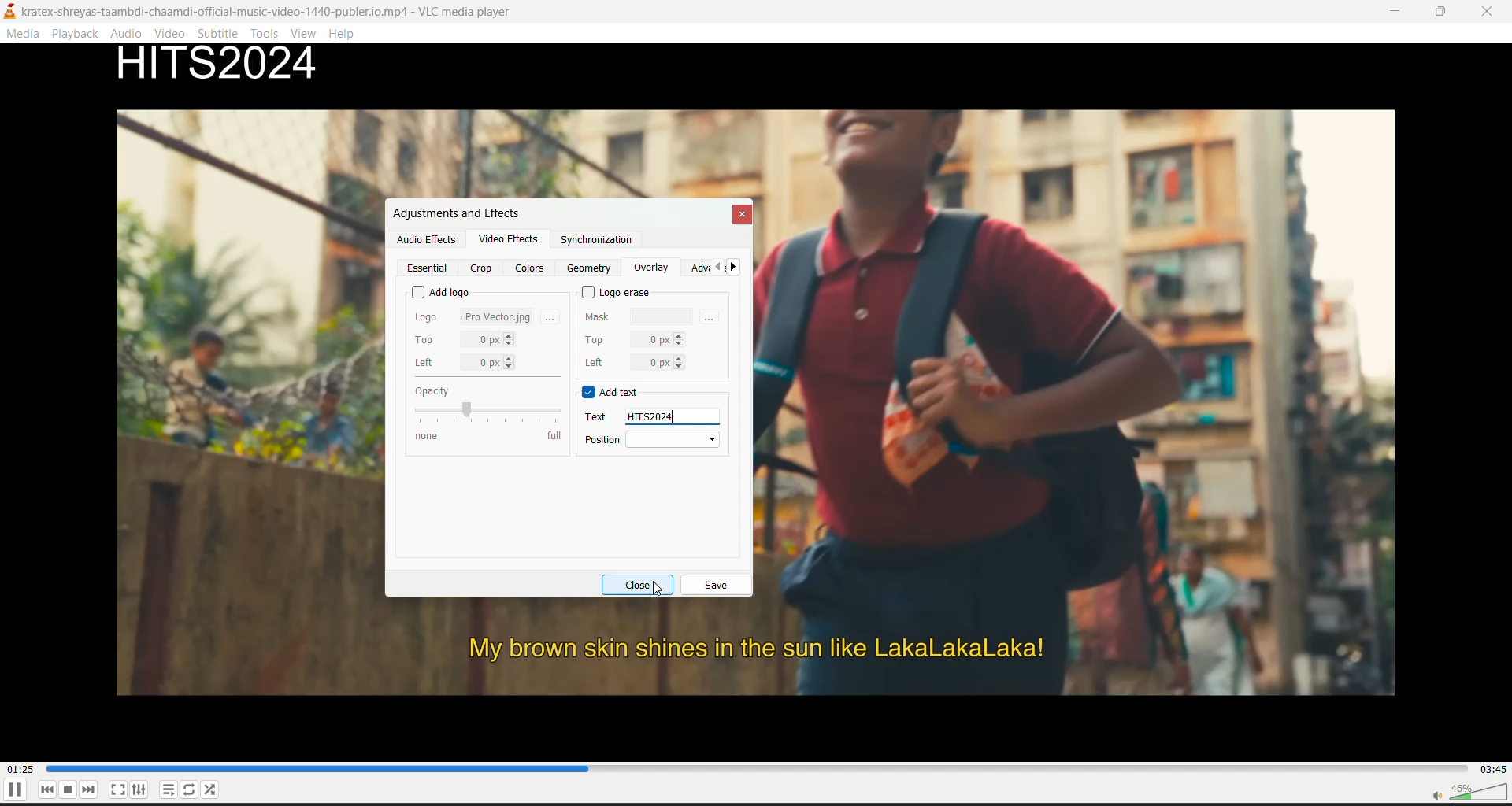 The height and width of the screenshot is (806, 1512). Describe the element at coordinates (481, 268) in the screenshot. I see `crop` at that location.